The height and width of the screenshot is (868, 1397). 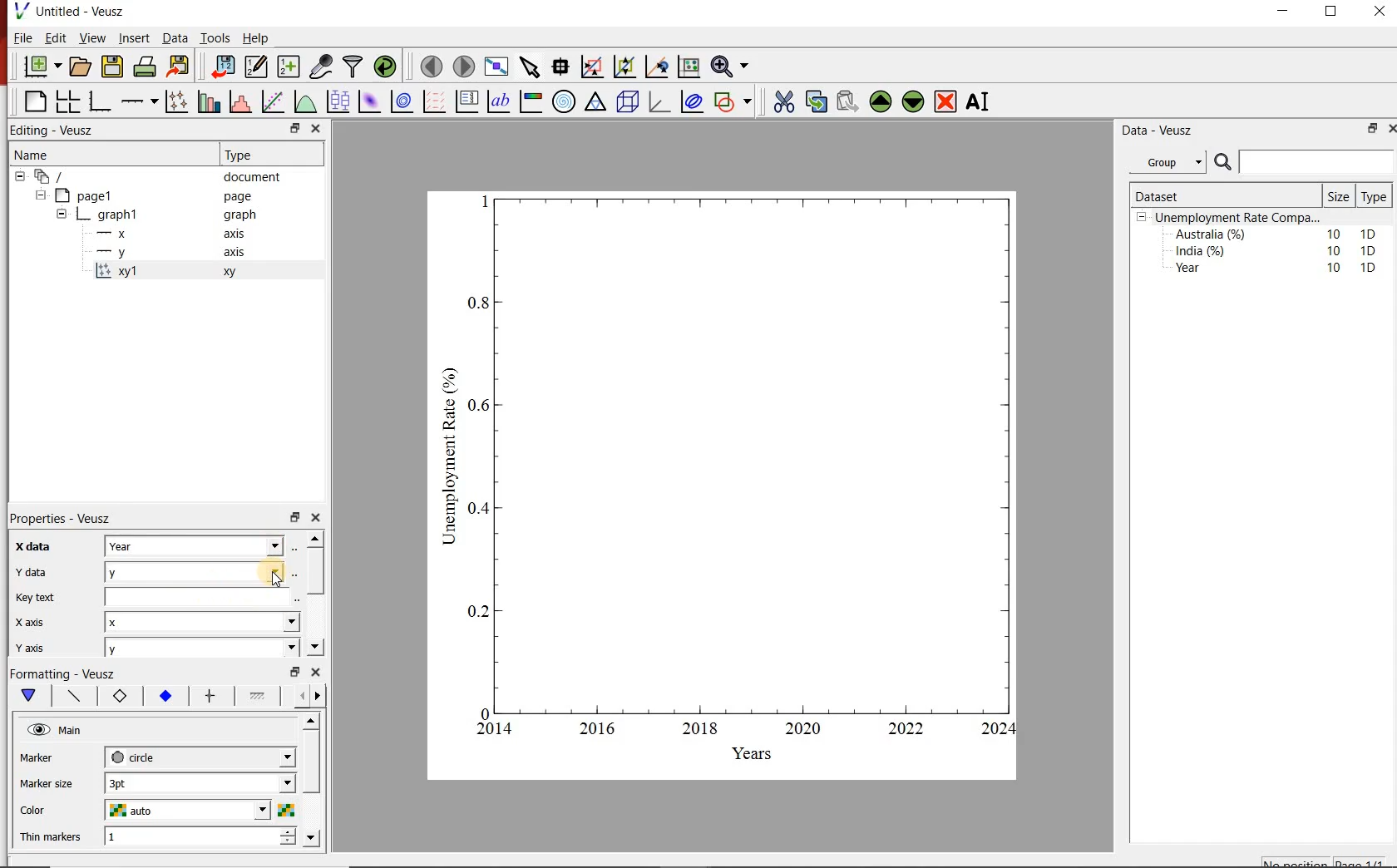 I want to click on hide/unhide, so click(x=38, y=729).